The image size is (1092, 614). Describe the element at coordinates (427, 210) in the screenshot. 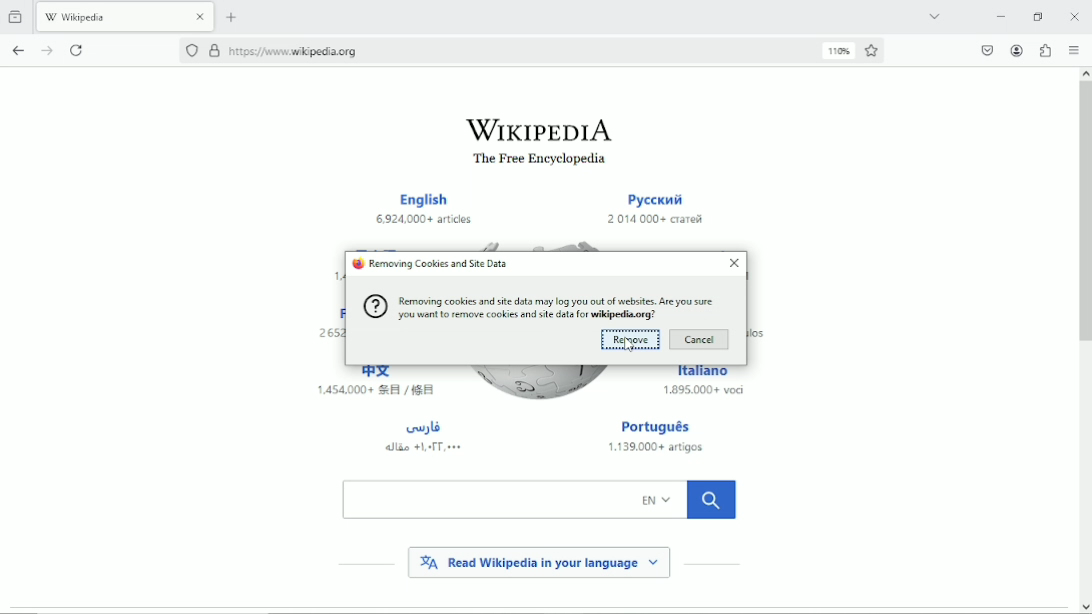

I see `English
6.924.000 articles` at that location.